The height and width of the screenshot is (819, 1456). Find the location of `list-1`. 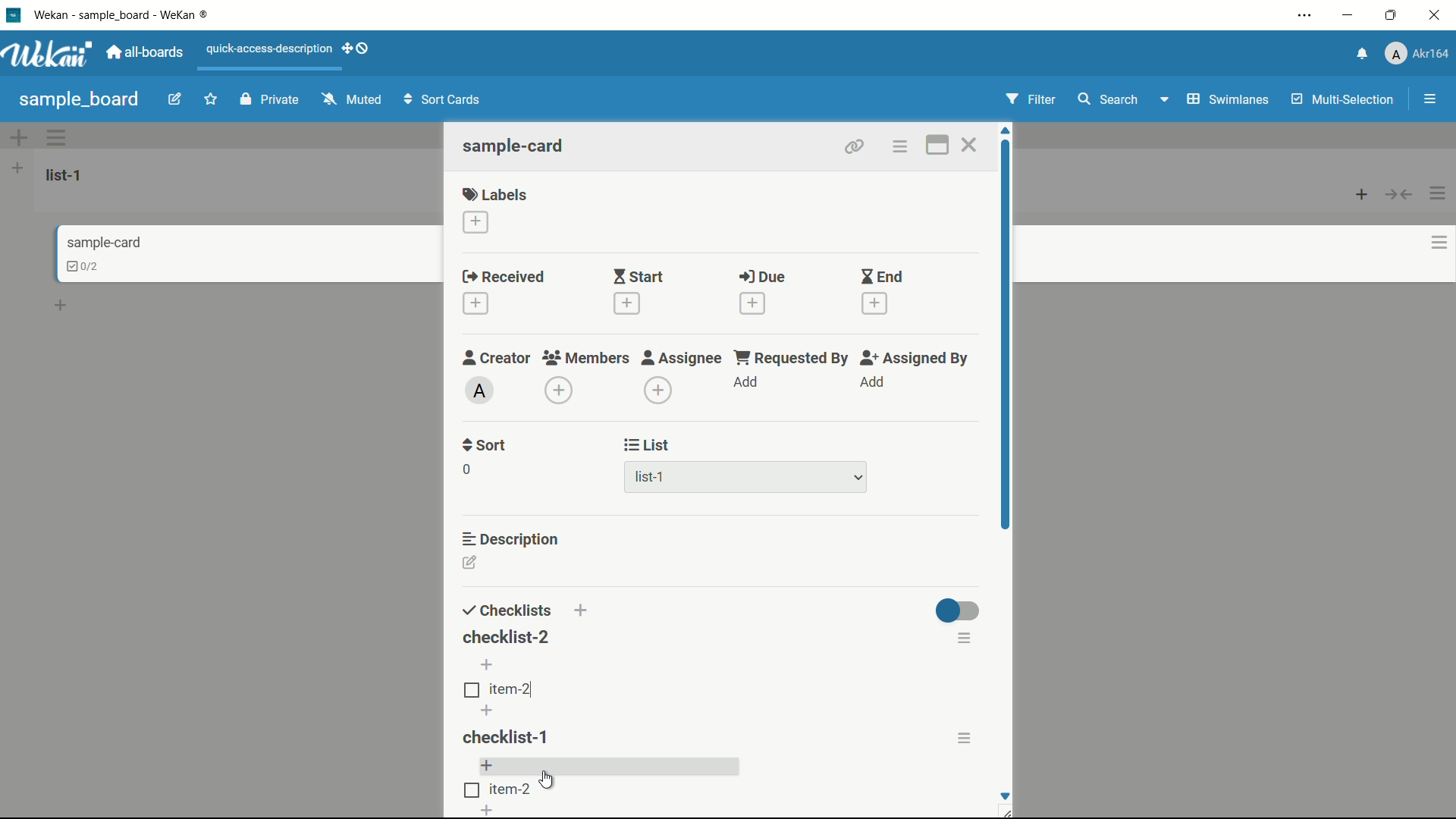

list-1 is located at coordinates (67, 174).